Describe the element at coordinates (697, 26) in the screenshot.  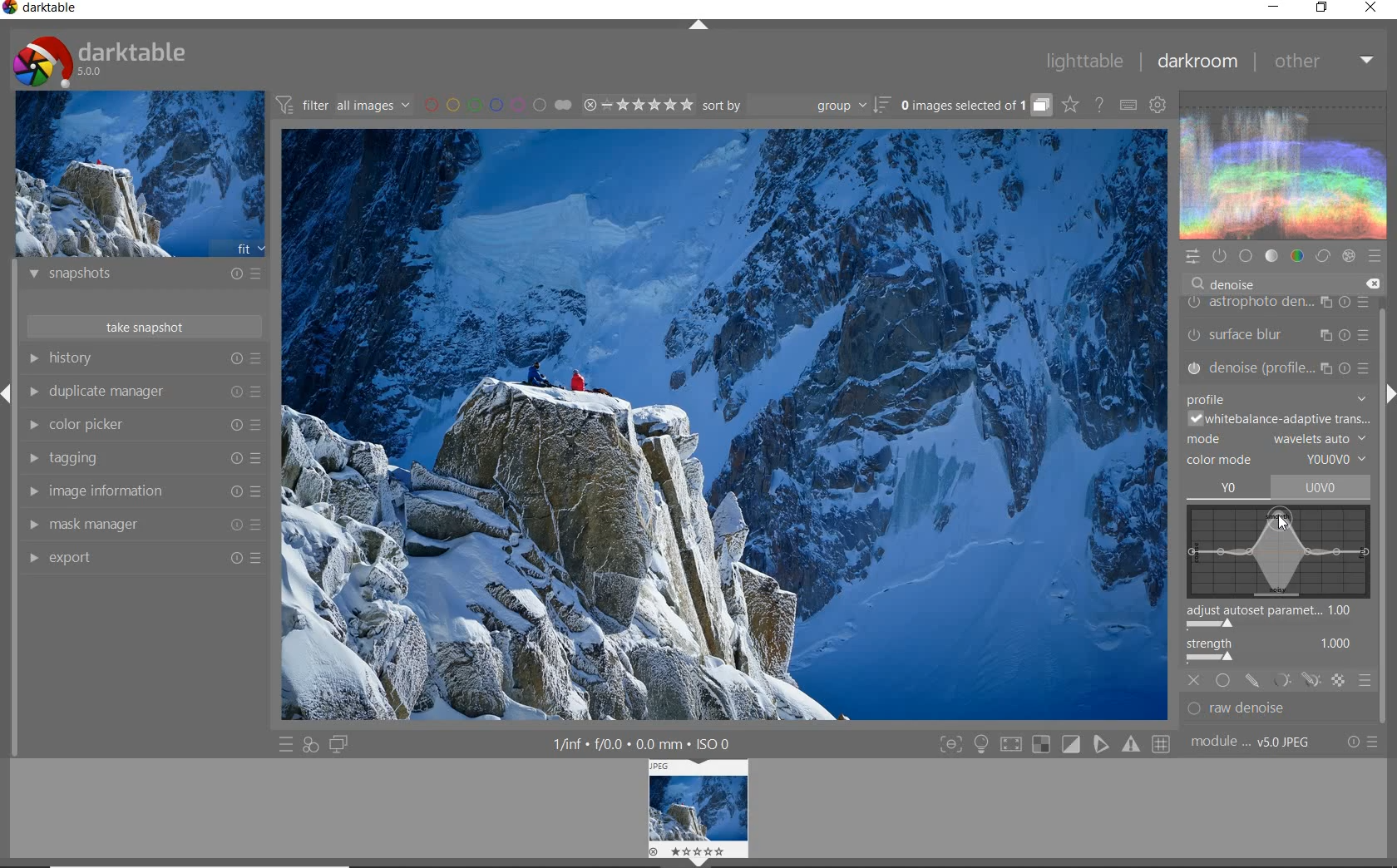
I see `expand/collapse` at that location.